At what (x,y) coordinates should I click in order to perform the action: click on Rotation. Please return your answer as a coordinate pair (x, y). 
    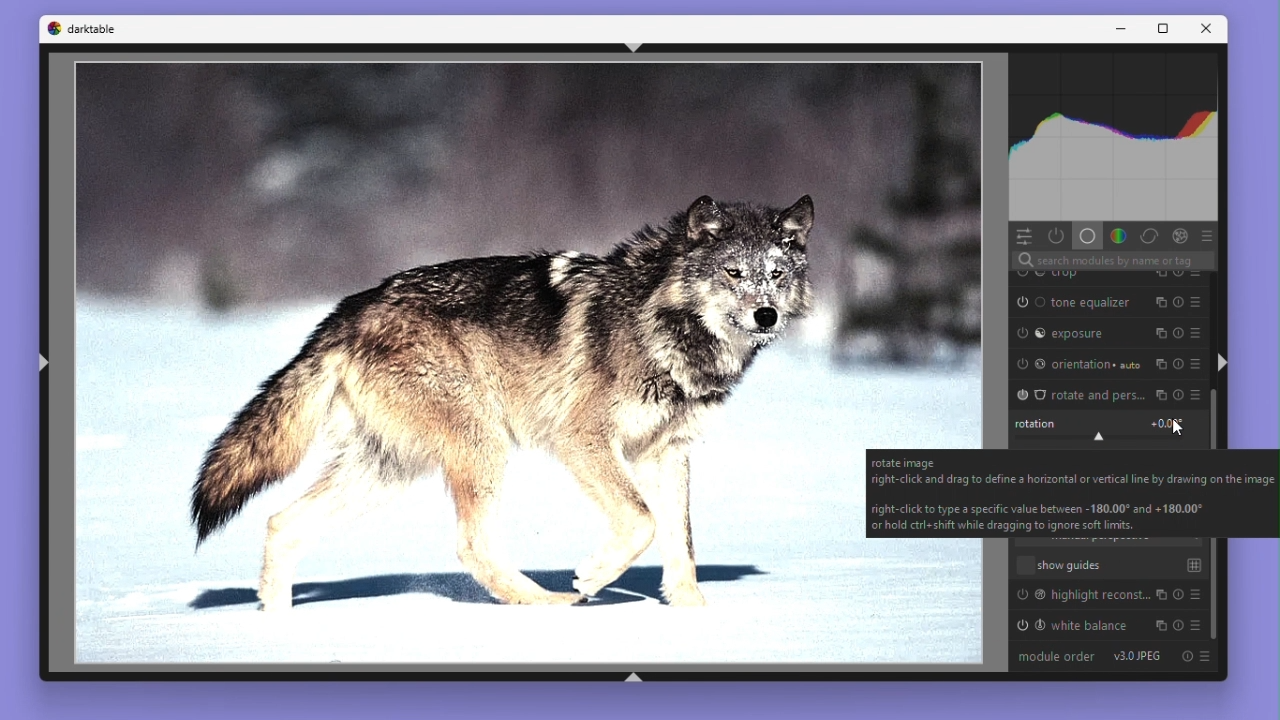
    Looking at the image, I should click on (1108, 425).